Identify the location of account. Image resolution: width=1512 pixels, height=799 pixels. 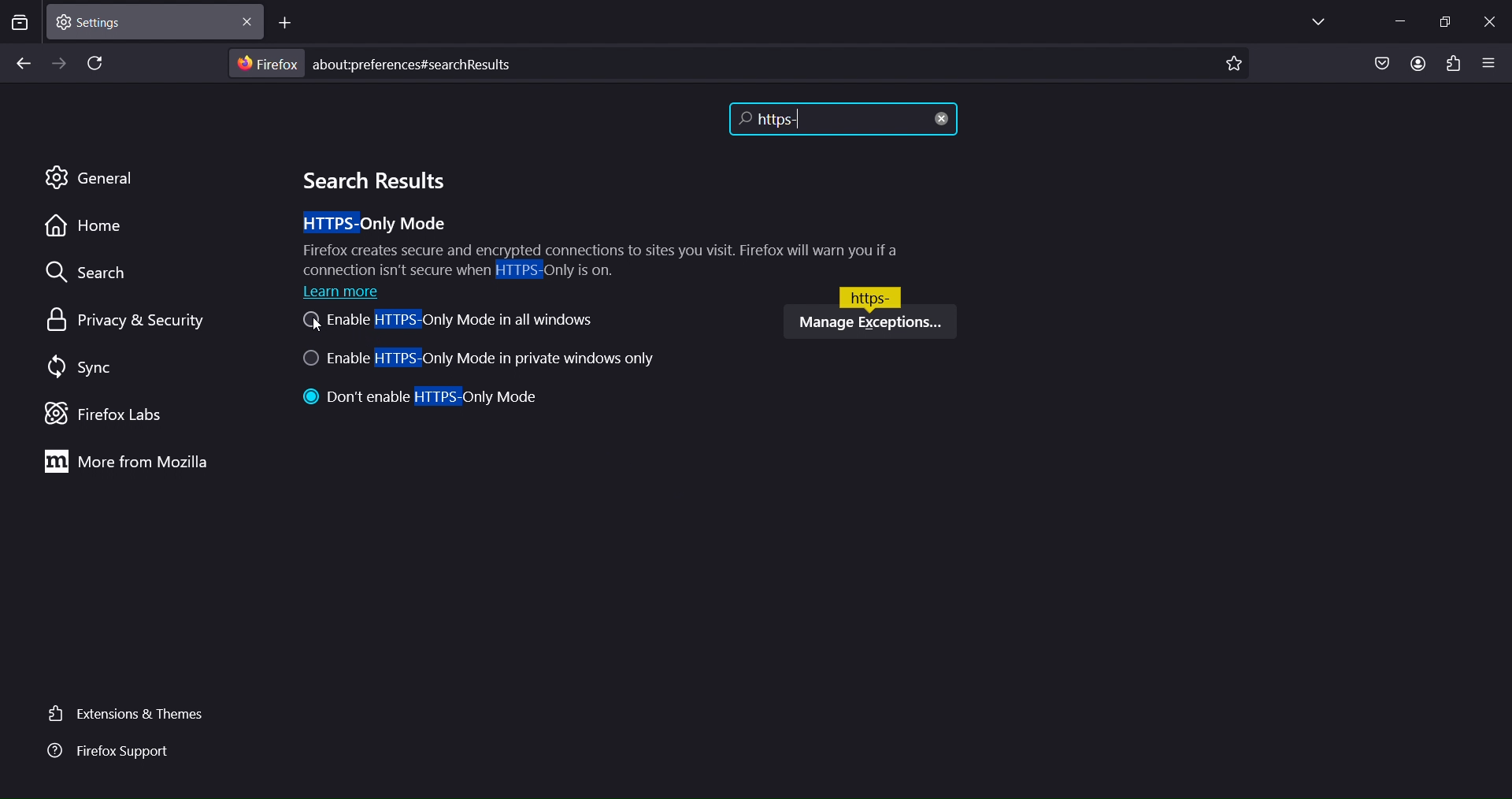
(1419, 63).